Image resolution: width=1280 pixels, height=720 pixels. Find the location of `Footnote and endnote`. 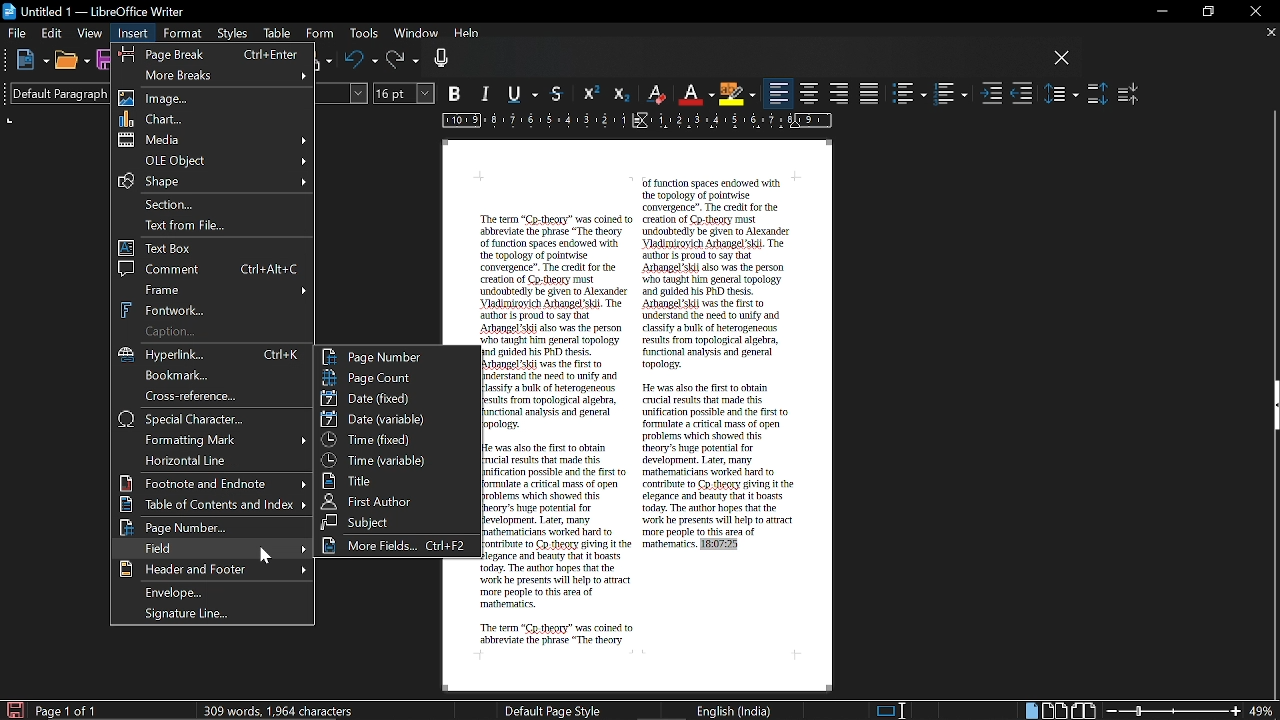

Footnote and endnote is located at coordinates (213, 483).